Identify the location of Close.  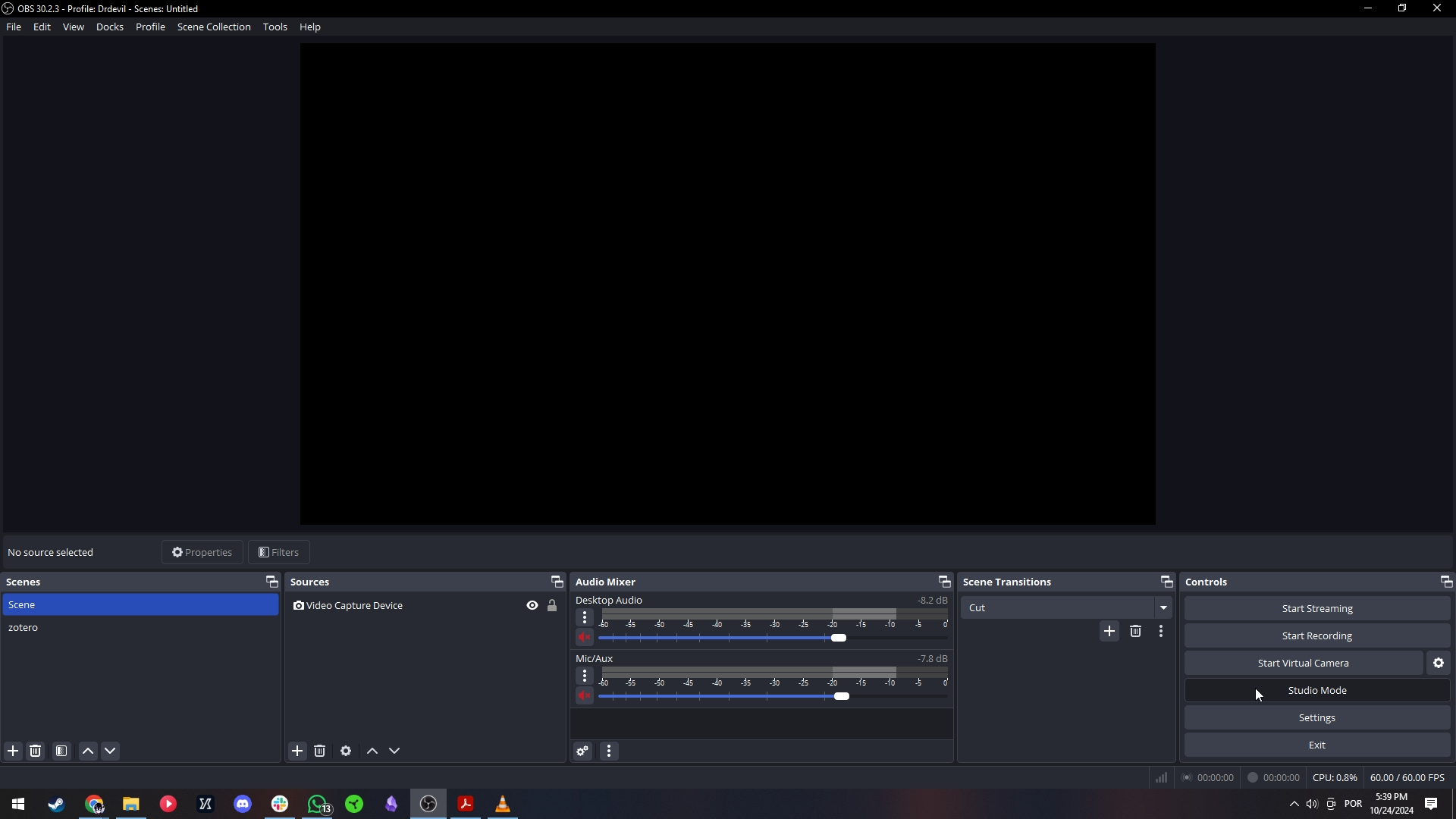
(1438, 9).